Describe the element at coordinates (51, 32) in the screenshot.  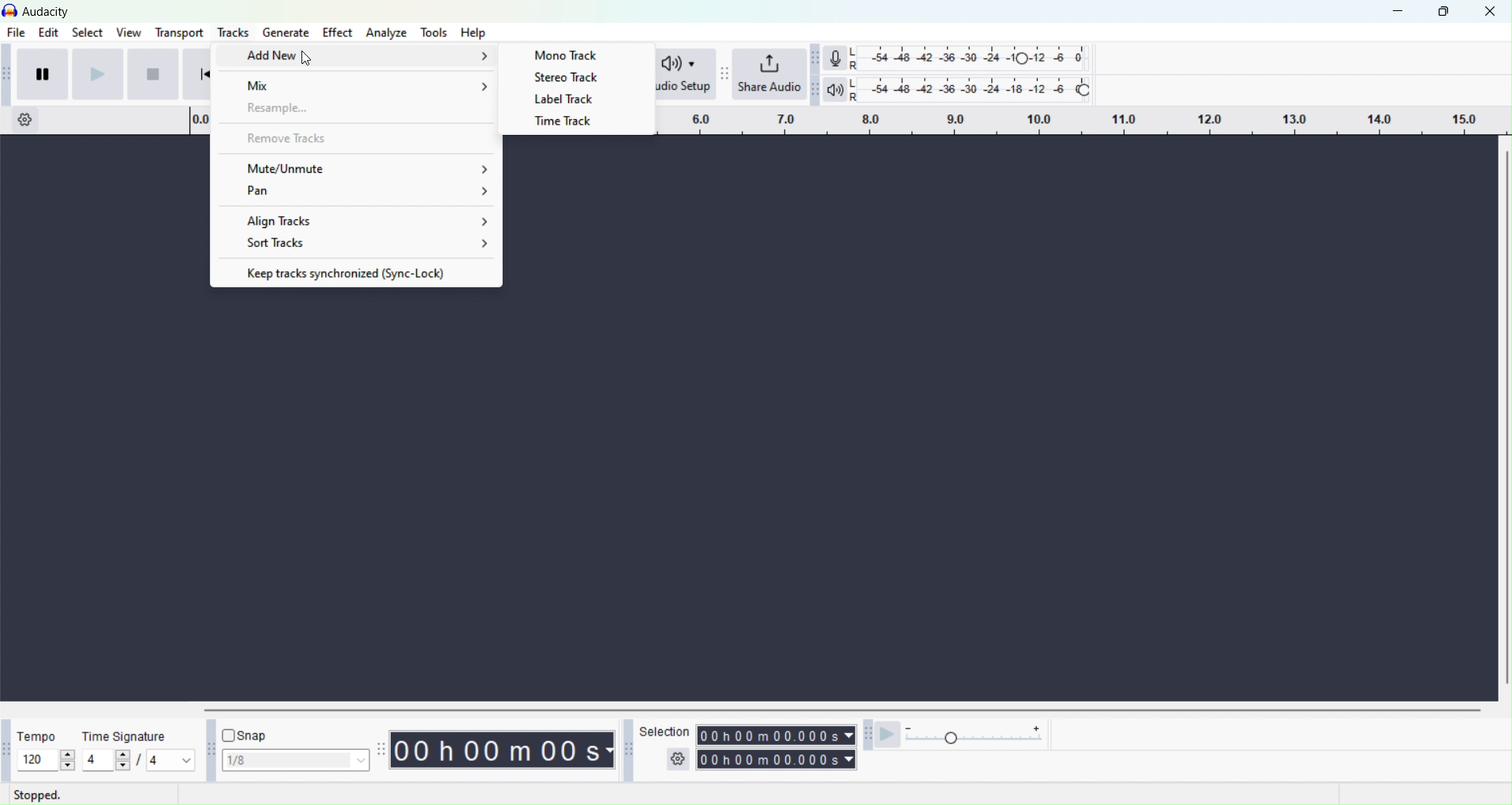
I see `Edit` at that location.